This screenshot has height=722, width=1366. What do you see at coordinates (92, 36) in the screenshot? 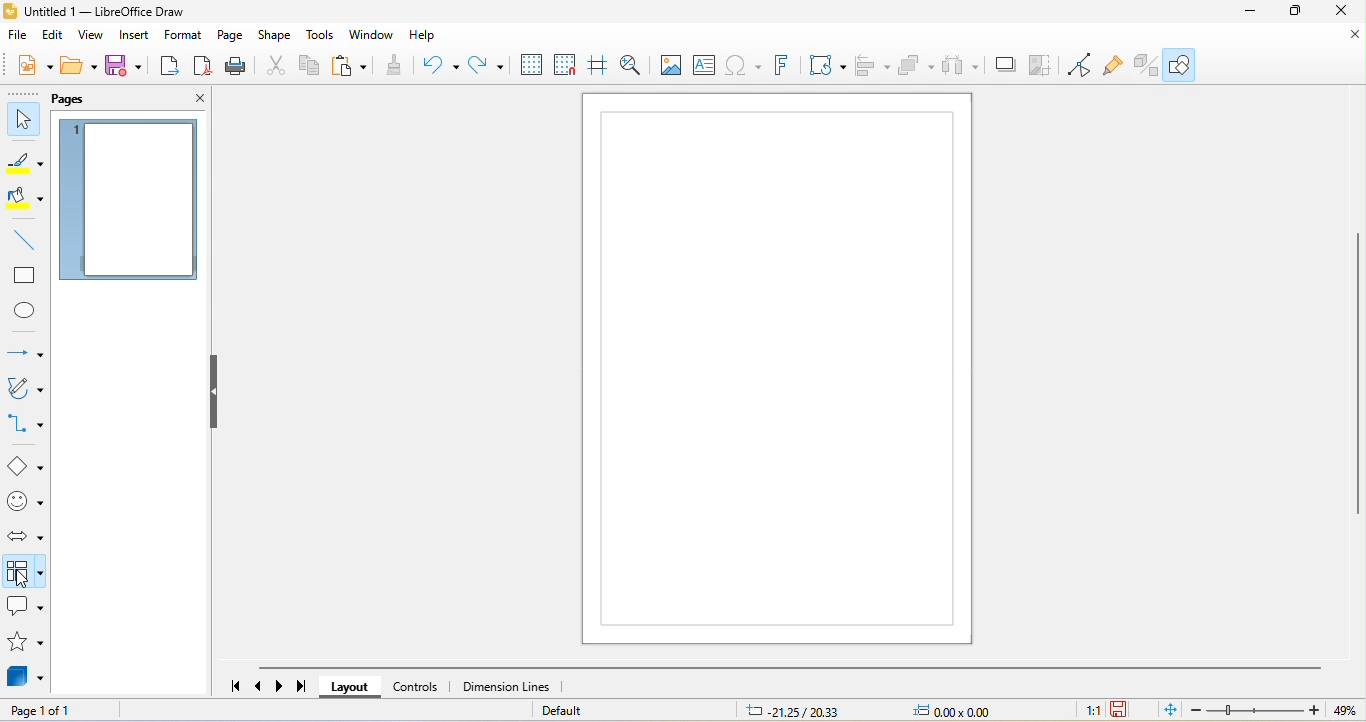
I see `view` at bounding box center [92, 36].